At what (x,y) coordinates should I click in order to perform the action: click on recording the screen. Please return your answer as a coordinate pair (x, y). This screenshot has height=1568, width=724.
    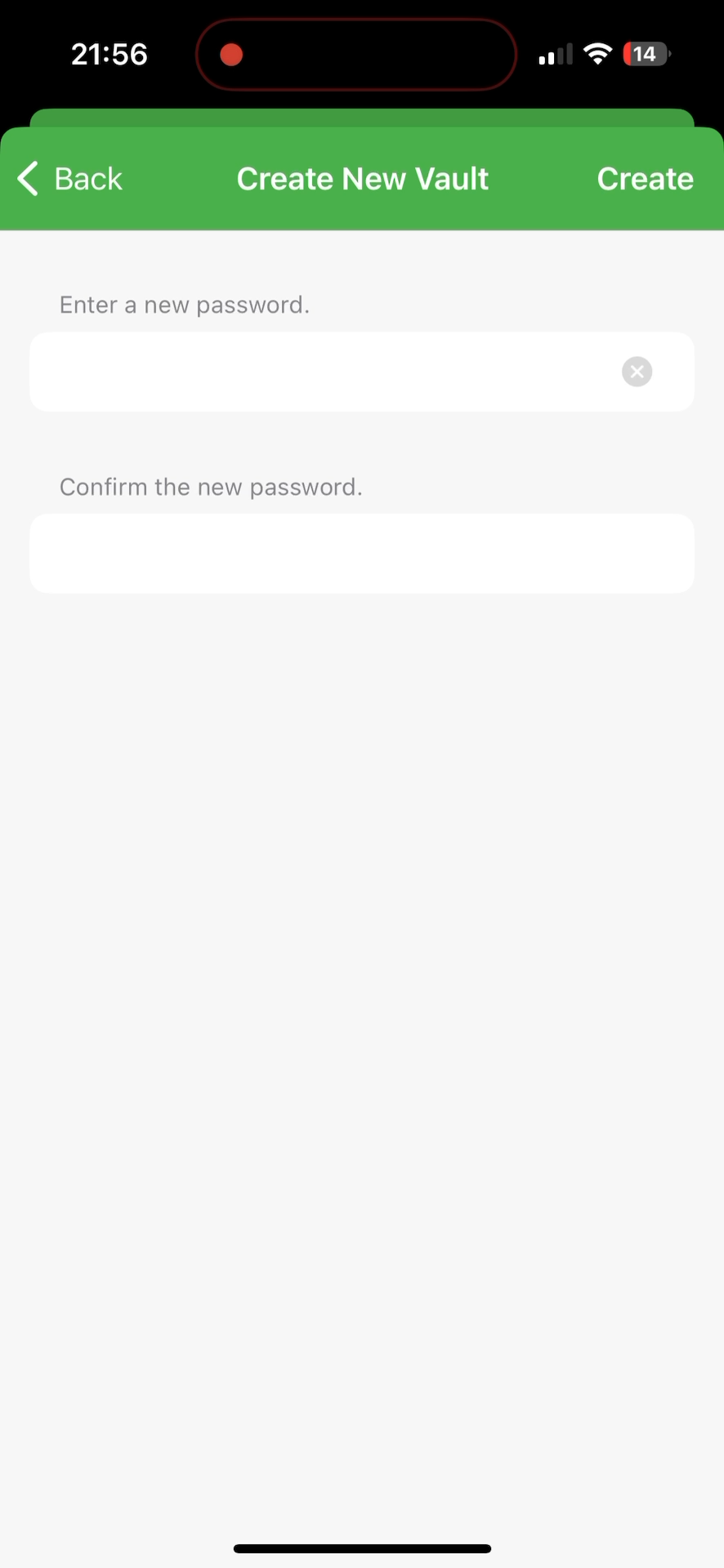
    Looking at the image, I should click on (231, 51).